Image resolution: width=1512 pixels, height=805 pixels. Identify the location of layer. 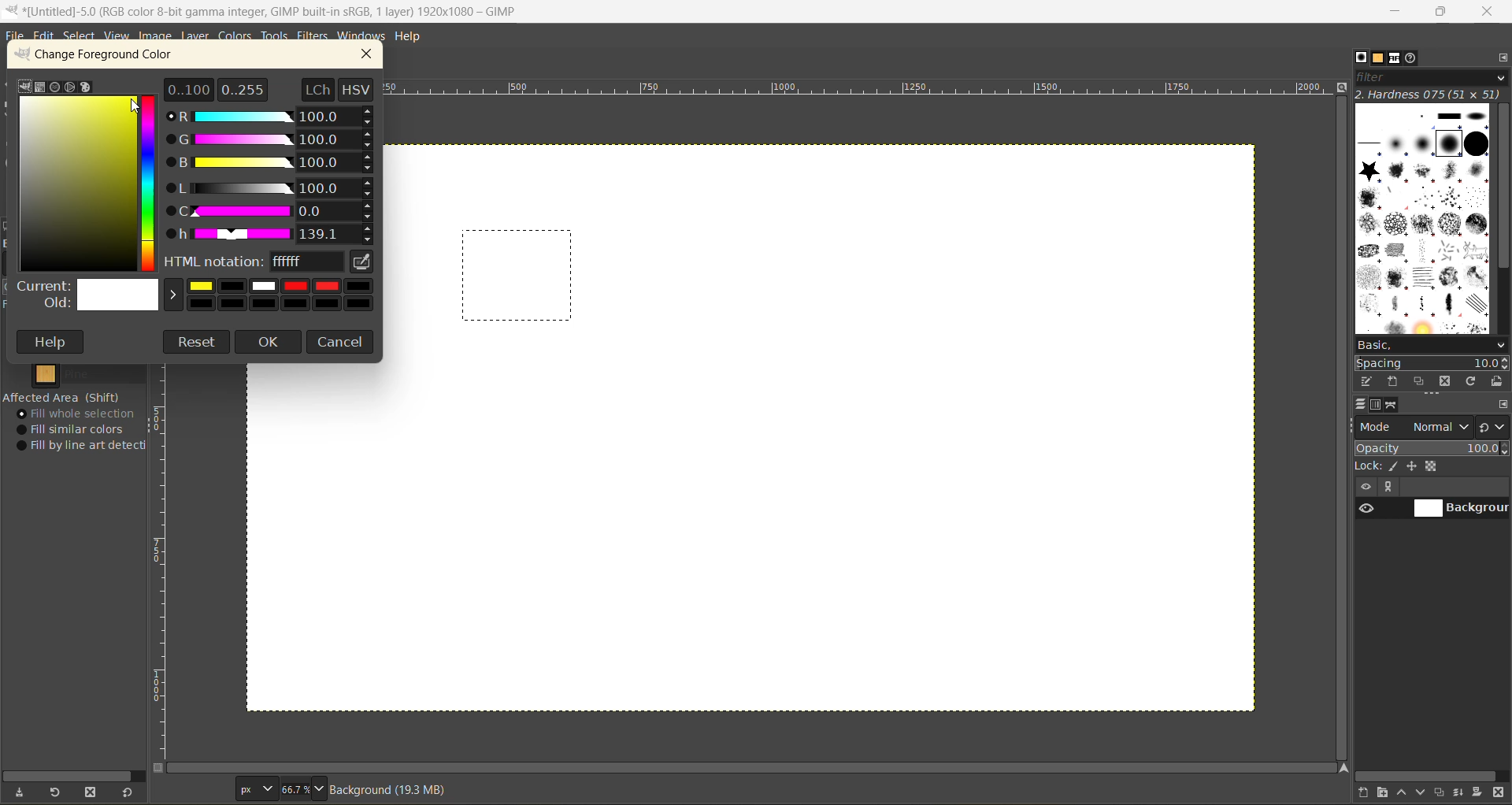
(196, 36).